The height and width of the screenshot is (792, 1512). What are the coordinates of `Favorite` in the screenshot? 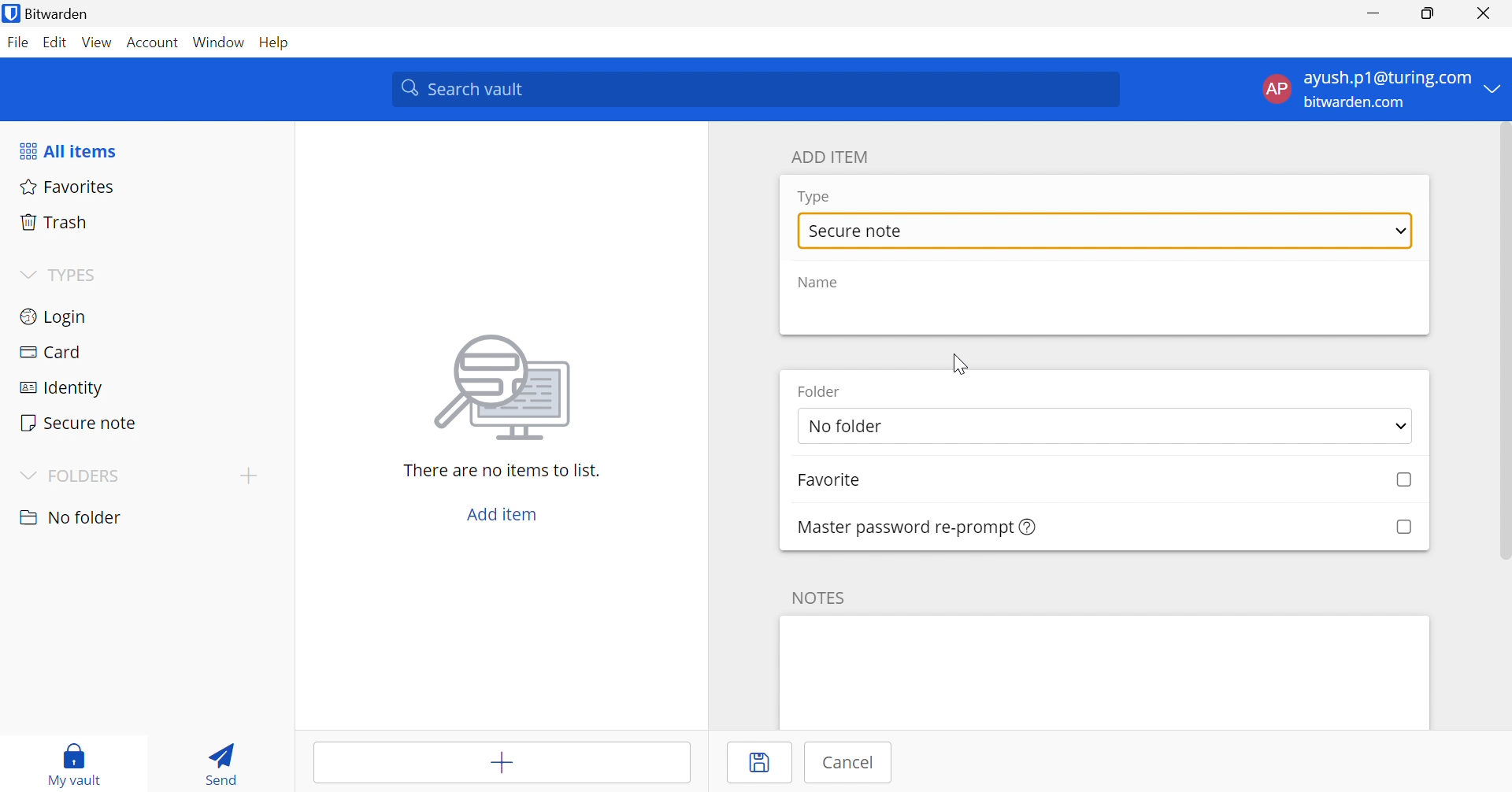 It's located at (833, 482).